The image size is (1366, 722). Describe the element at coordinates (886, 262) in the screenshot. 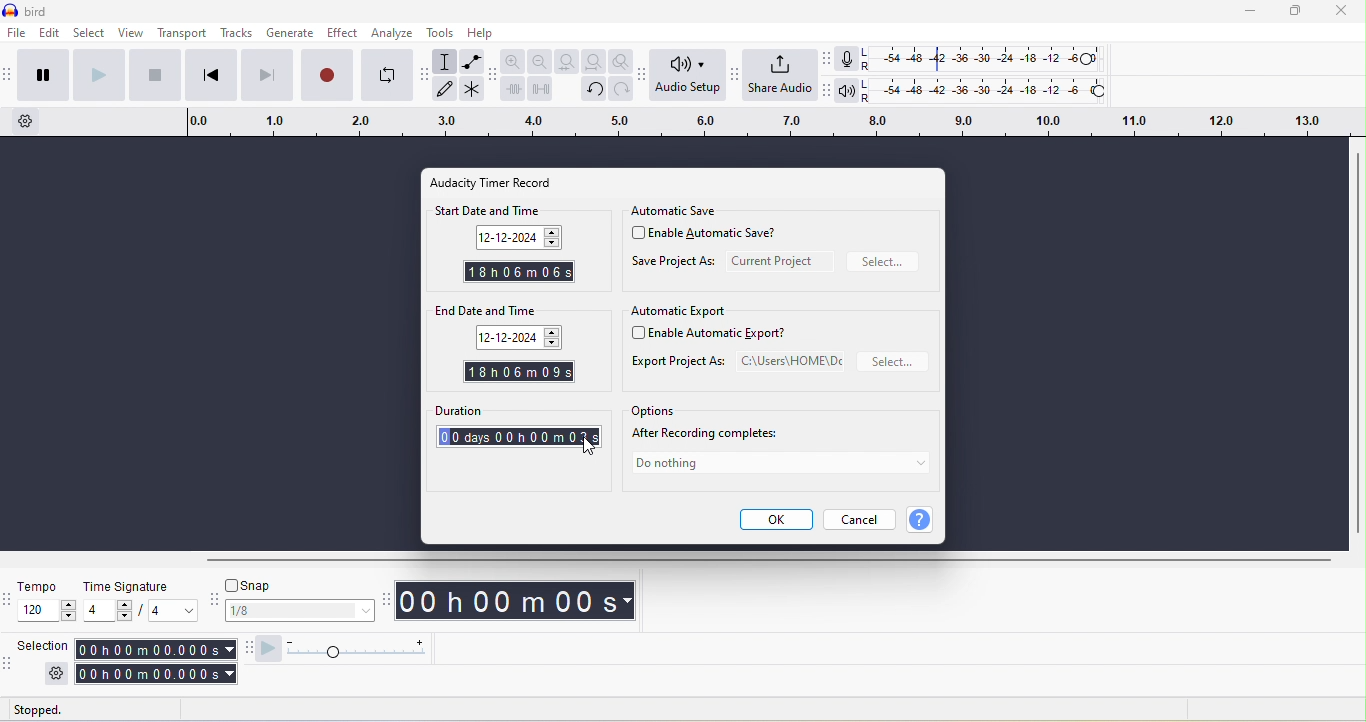

I see `select` at that location.